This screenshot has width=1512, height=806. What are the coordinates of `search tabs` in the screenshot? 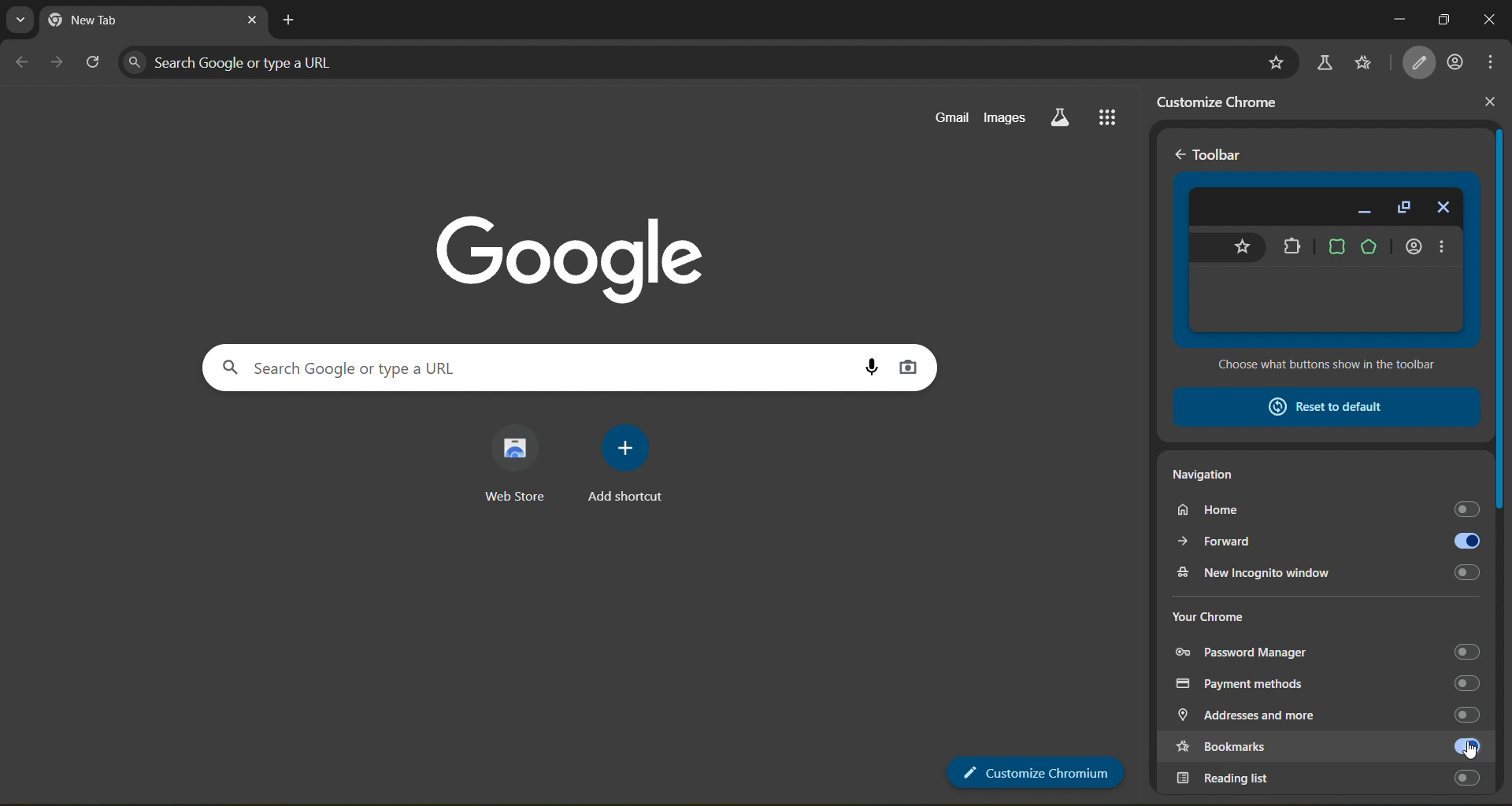 It's located at (20, 19).